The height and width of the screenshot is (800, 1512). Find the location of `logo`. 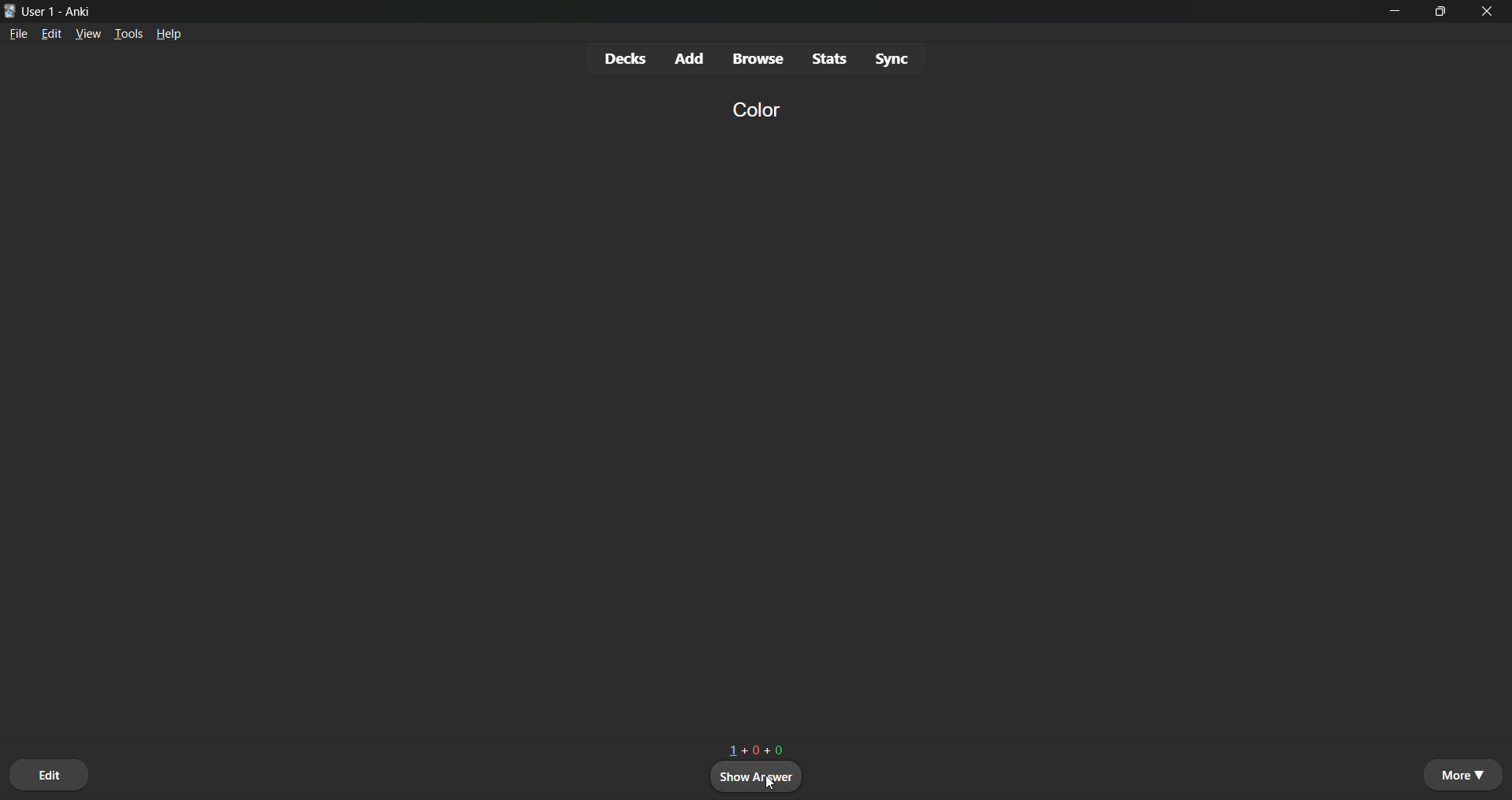

logo is located at coordinates (9, 9).